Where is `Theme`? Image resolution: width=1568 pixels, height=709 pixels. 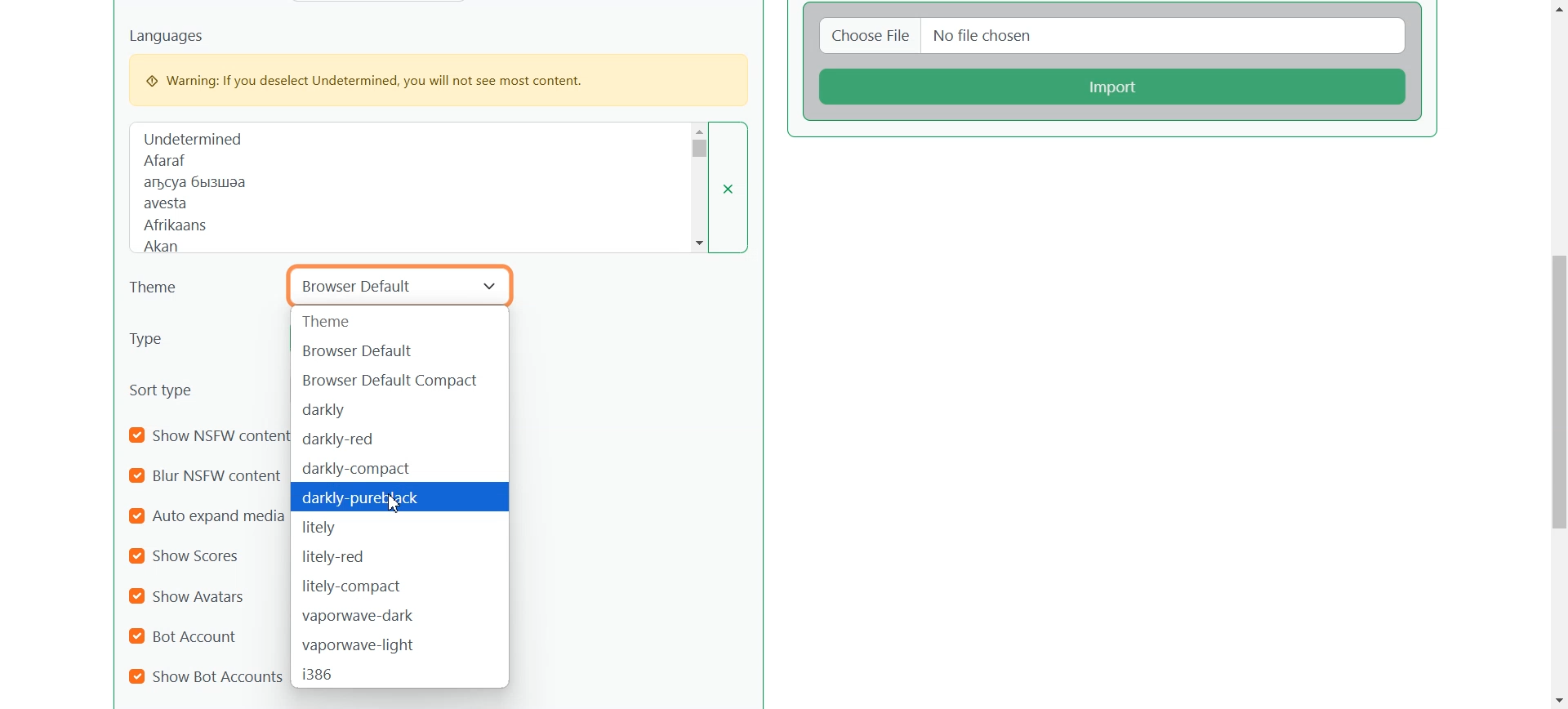
Theme is located at coordinates (399, 322).